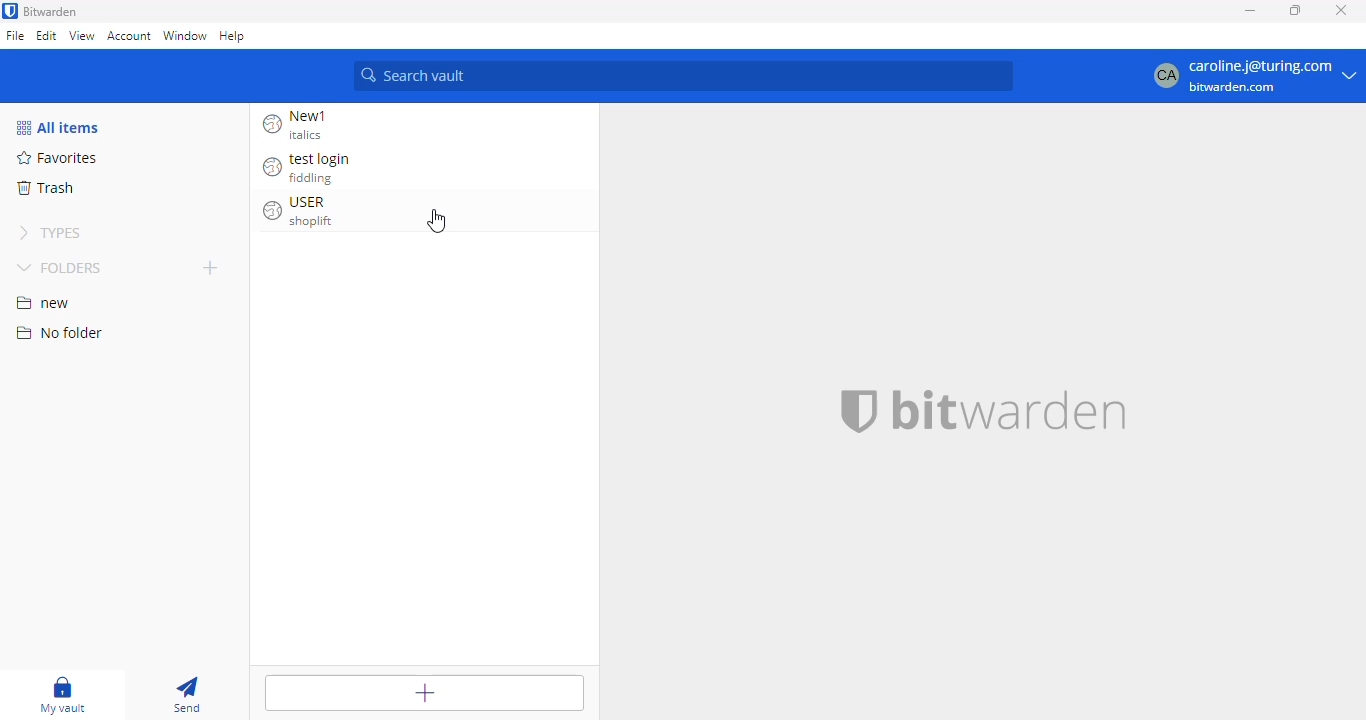 Image resolution: width=1366 pixels, height=720 pixels. What do you see at coordinates (186, 35) in the screenshot?
I see `window` at bounding box center [186, 35].